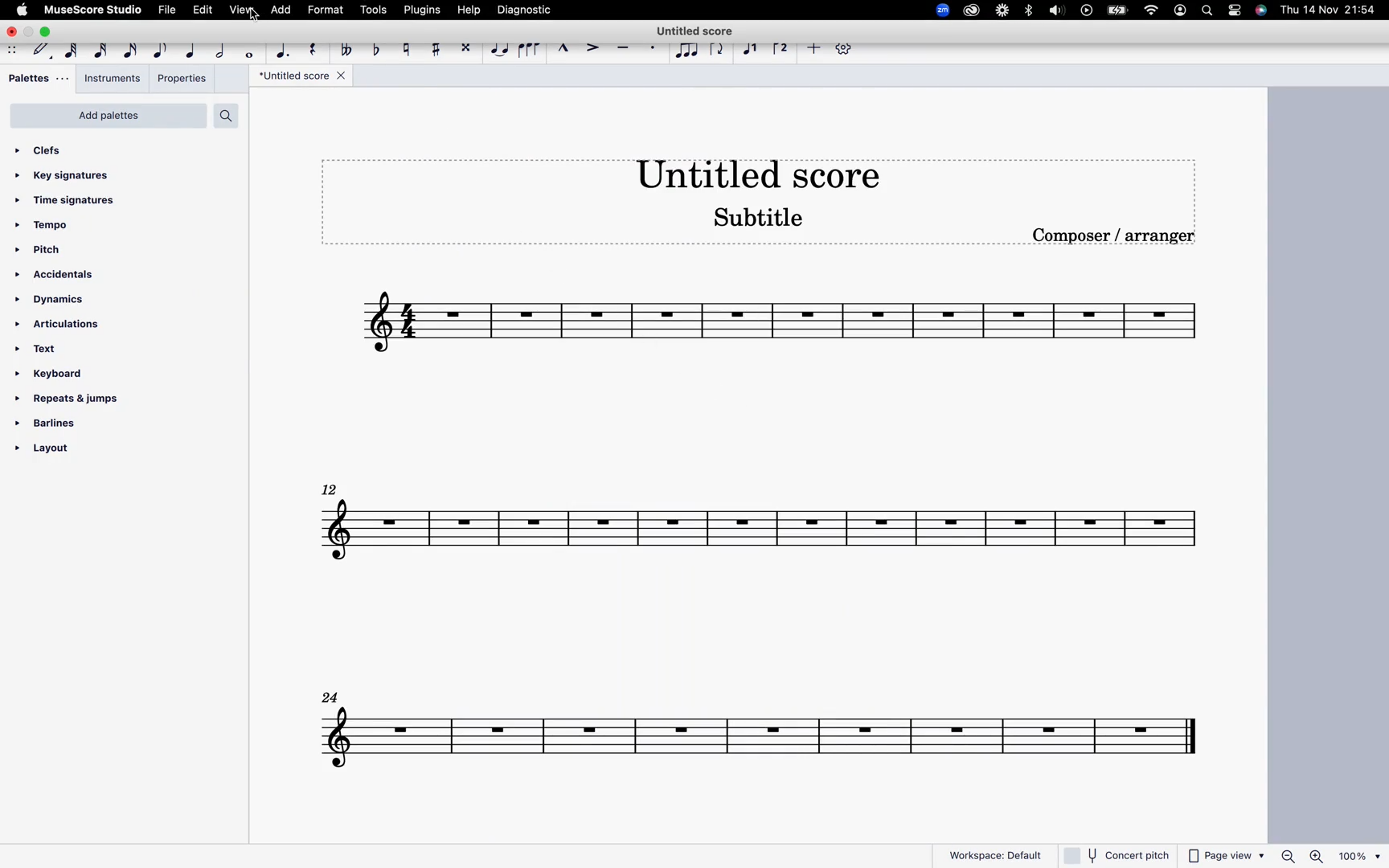 The height and width of the screenshot is (868, 1389). What do you see at coordinates (248, 54) in the screenshot?
I see `whole note` at bounding box center [248, 54].